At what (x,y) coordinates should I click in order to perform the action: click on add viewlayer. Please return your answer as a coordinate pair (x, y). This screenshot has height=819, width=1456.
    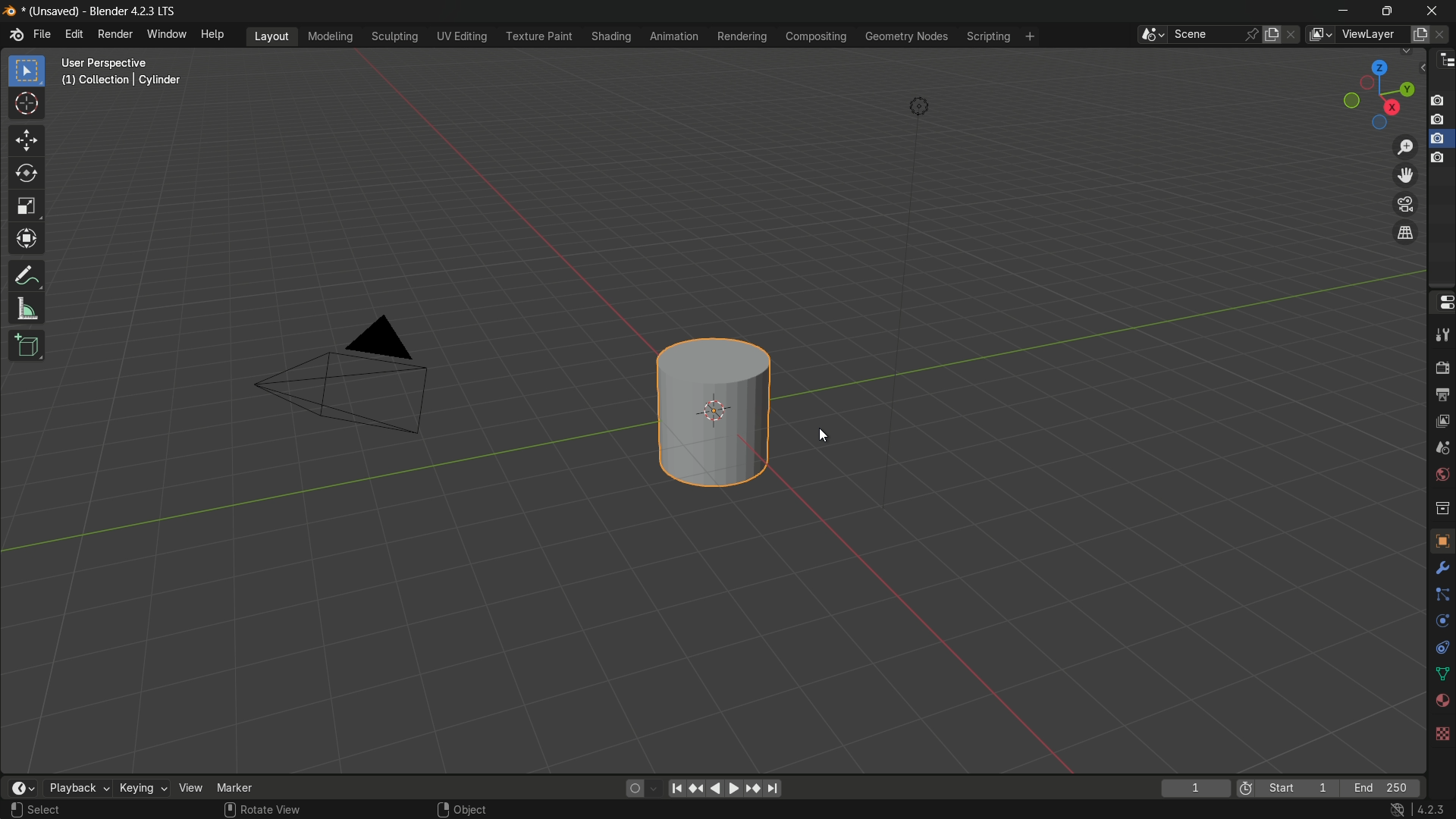
    Looking at the image, I should click on (1420, 35).